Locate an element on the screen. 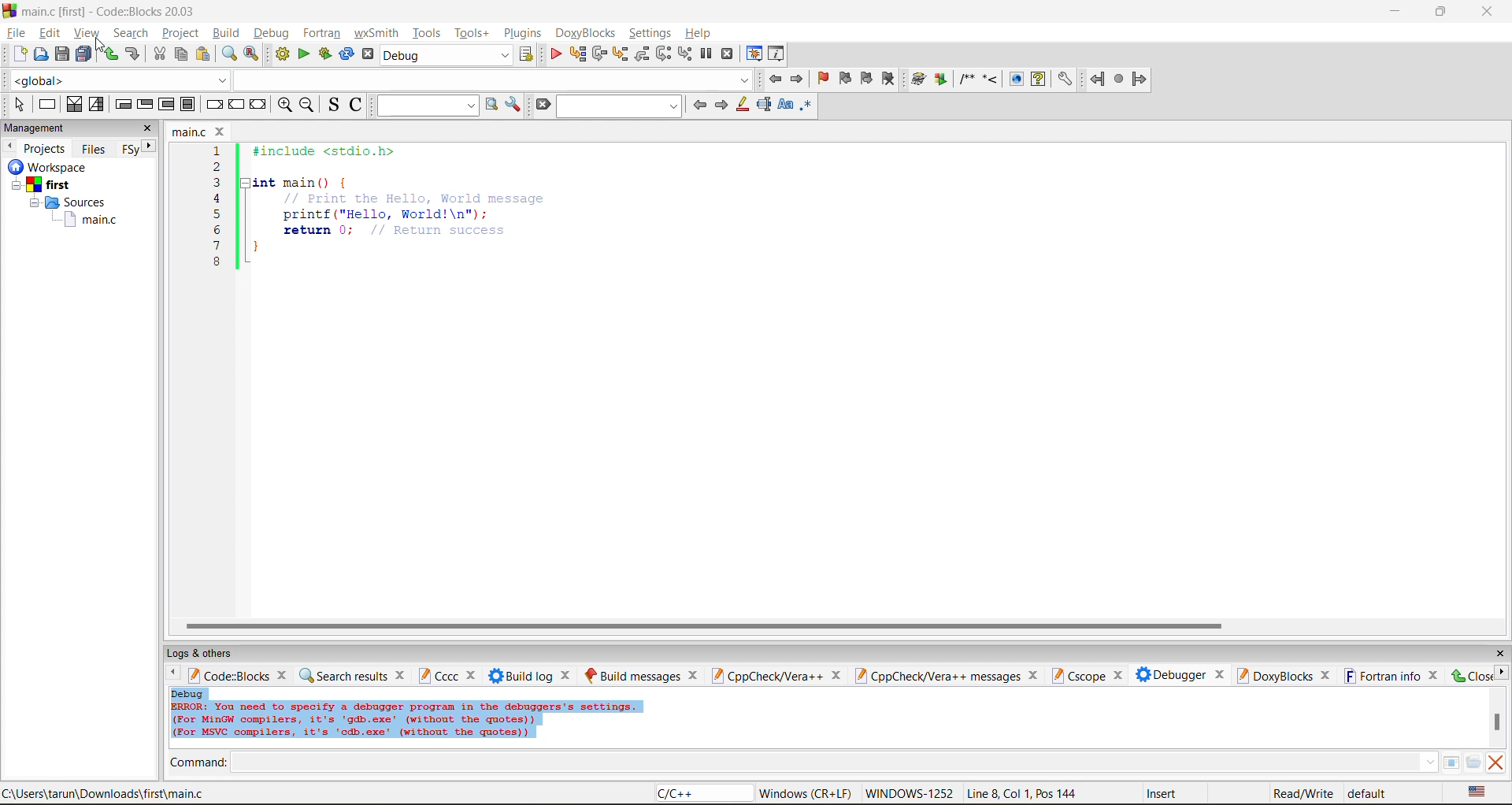 The image size is (1512, 805). next is located at coordinates (722, 106).